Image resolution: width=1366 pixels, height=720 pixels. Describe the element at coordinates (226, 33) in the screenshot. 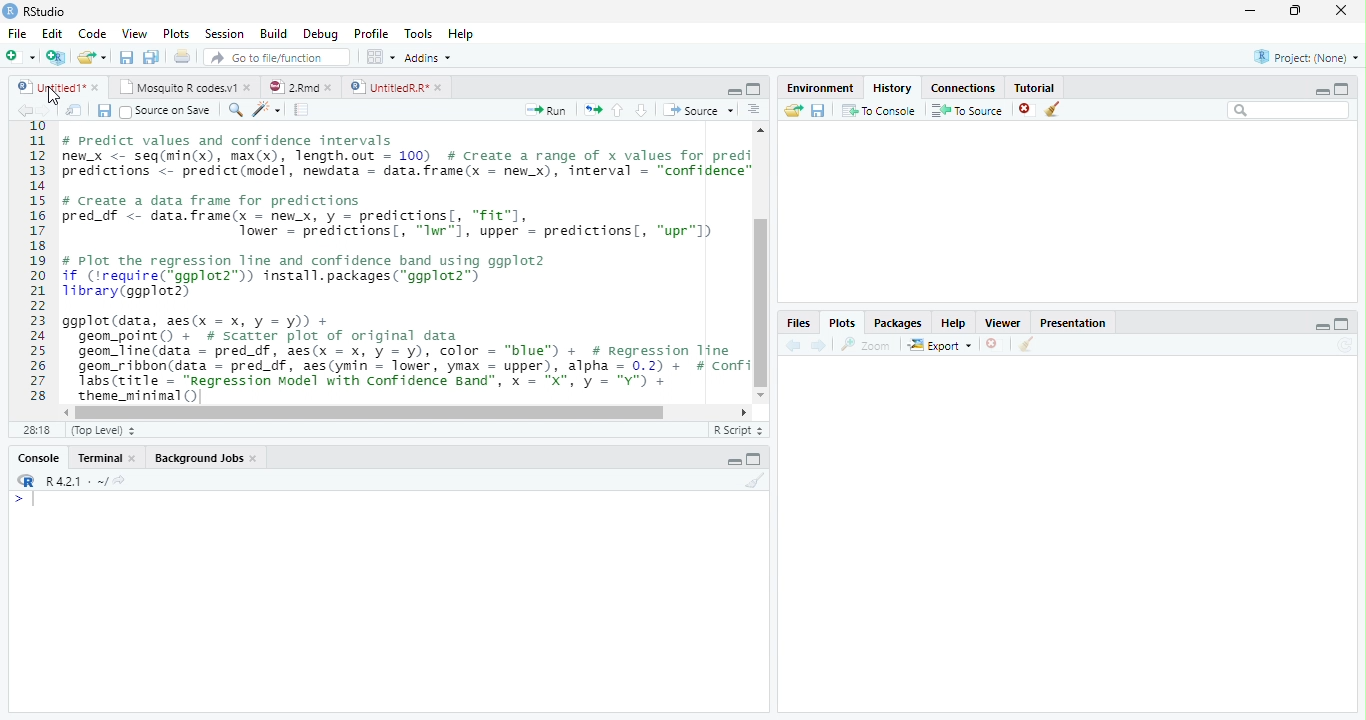

I see `Session` at that location.